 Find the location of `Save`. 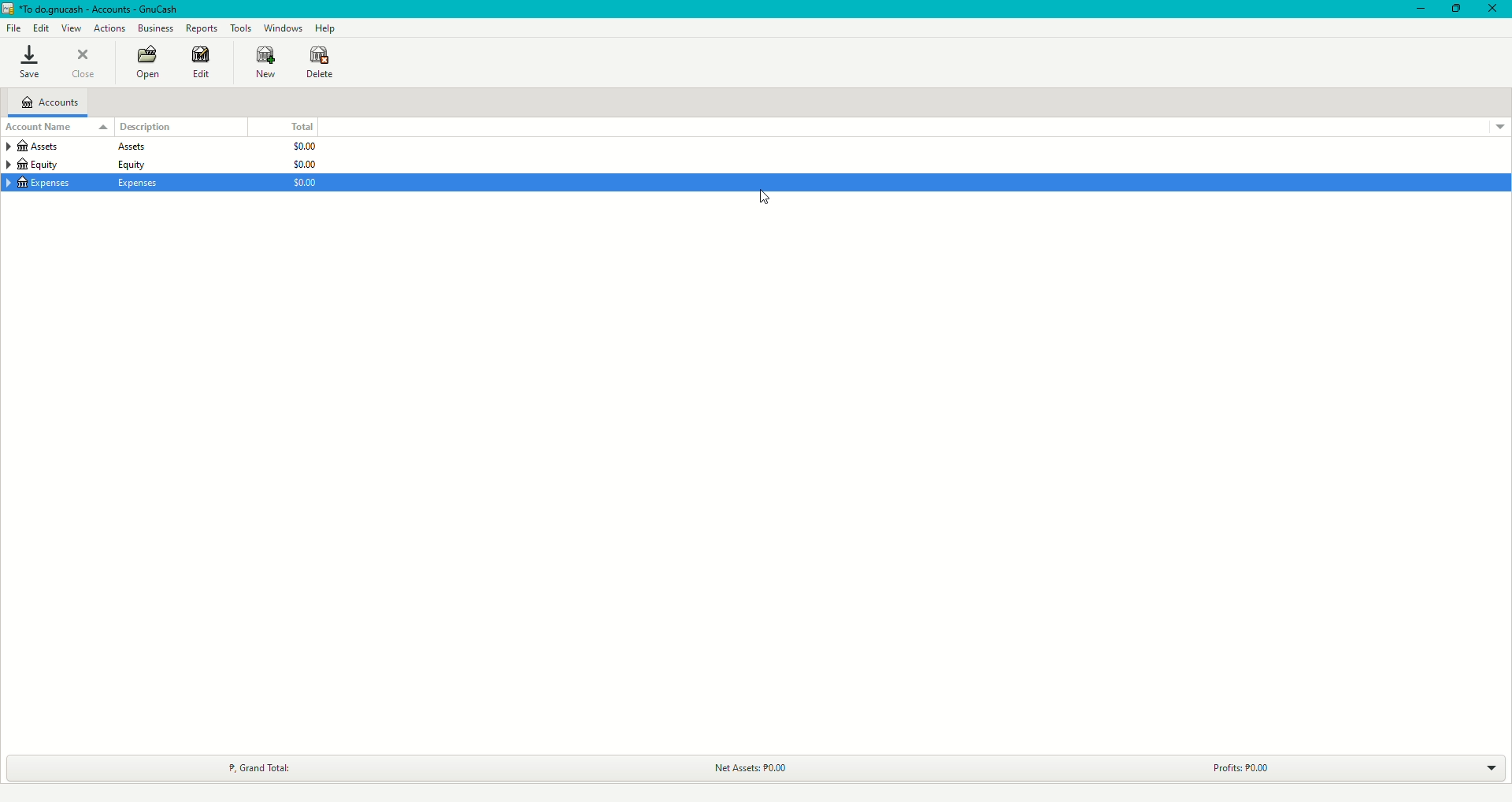

Save is located at coordinates (30, 61).